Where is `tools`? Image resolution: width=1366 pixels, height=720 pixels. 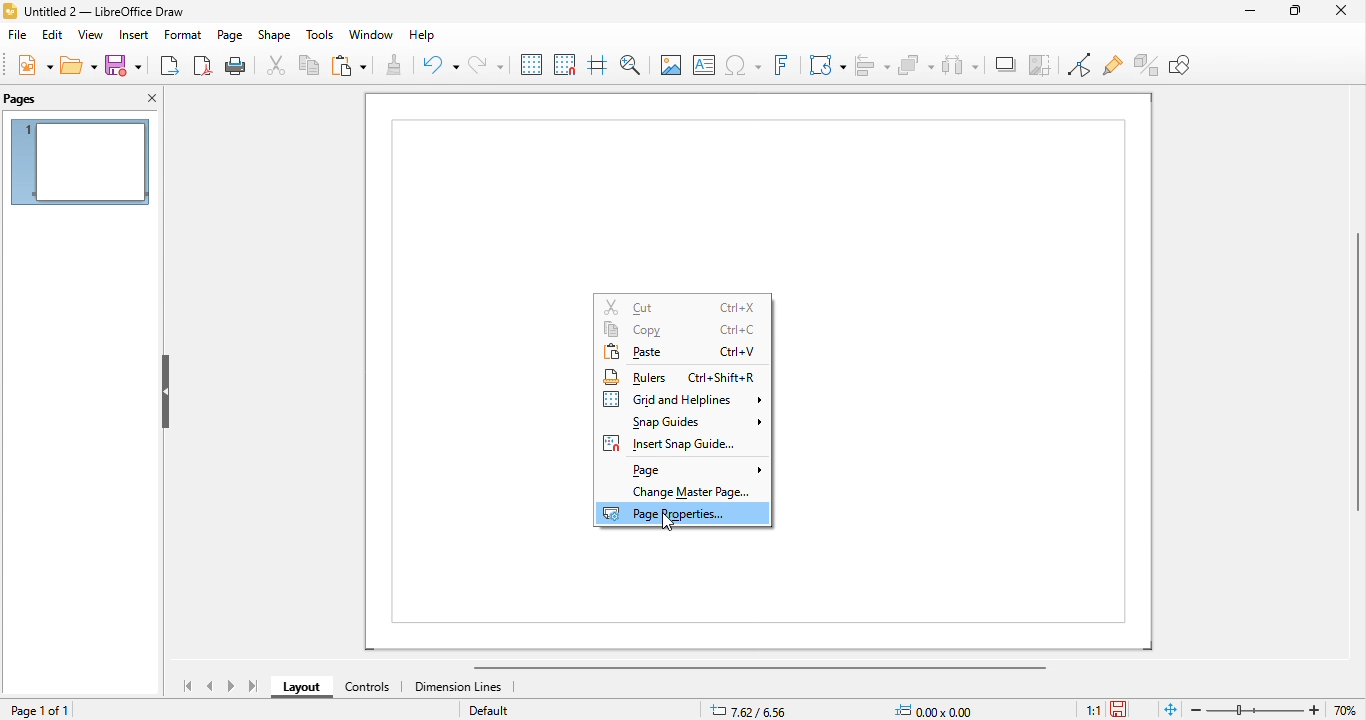 tools is located at coordinates (320, 36).